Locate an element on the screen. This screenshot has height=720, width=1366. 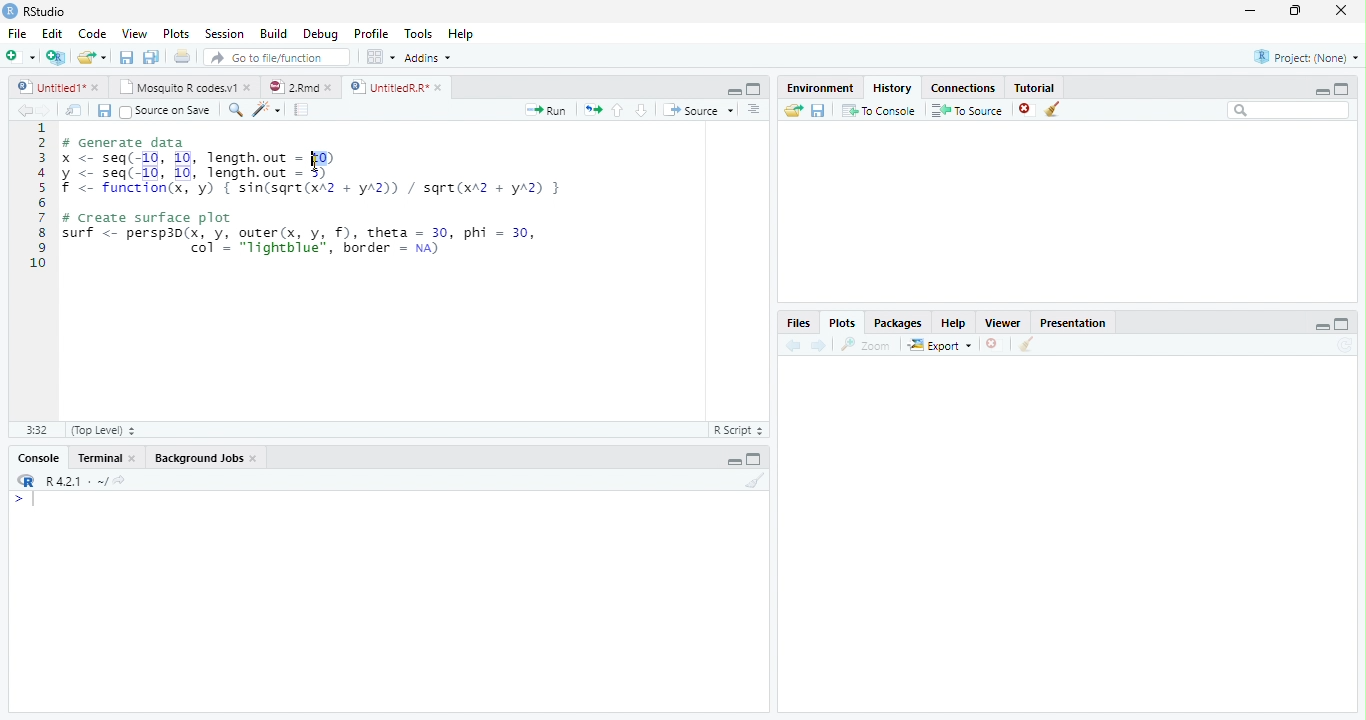
Open recent files is located at coordinates (104, 57).